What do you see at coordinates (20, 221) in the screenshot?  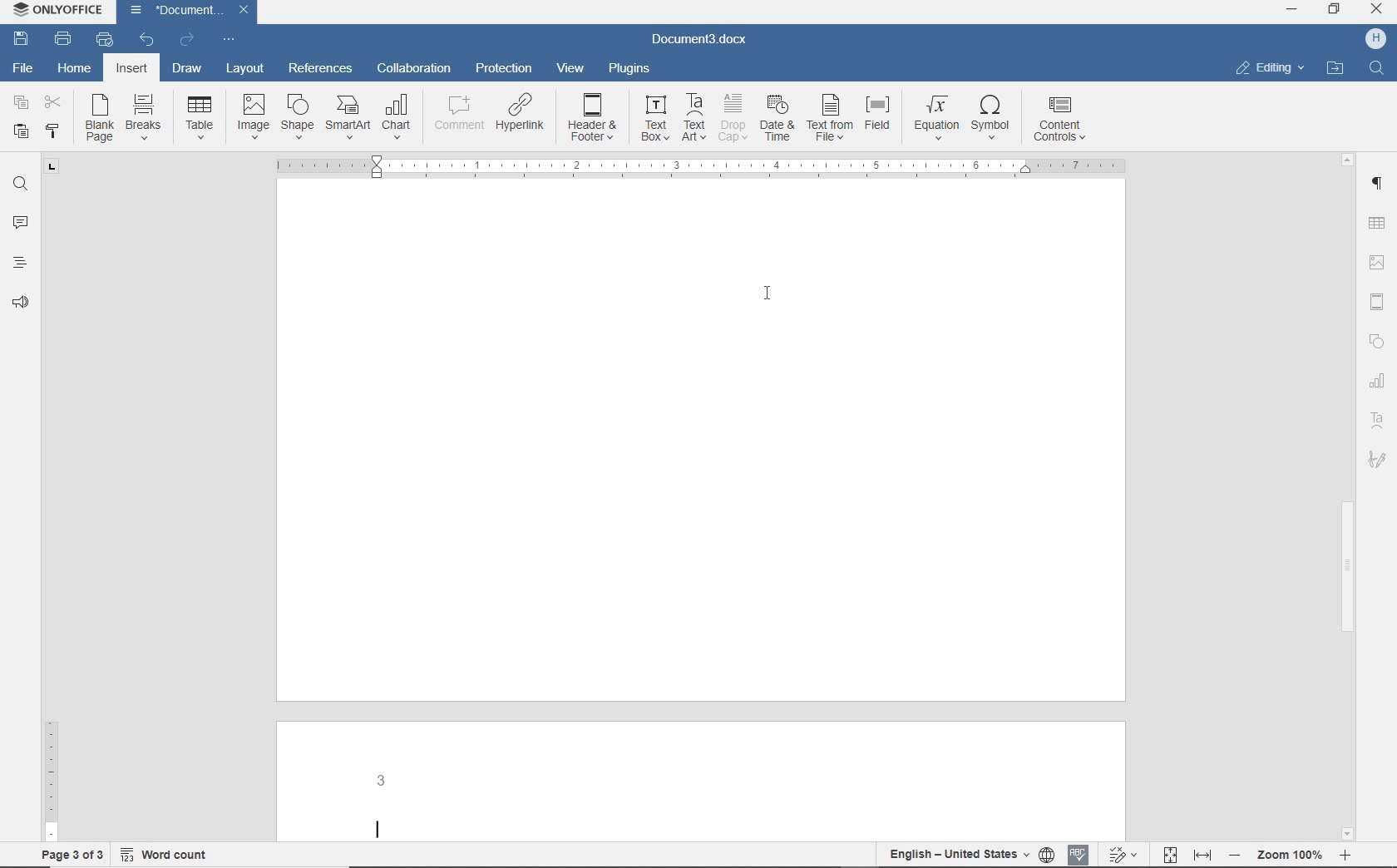 I see `COMMENTS` at bounding box center [20, 221].